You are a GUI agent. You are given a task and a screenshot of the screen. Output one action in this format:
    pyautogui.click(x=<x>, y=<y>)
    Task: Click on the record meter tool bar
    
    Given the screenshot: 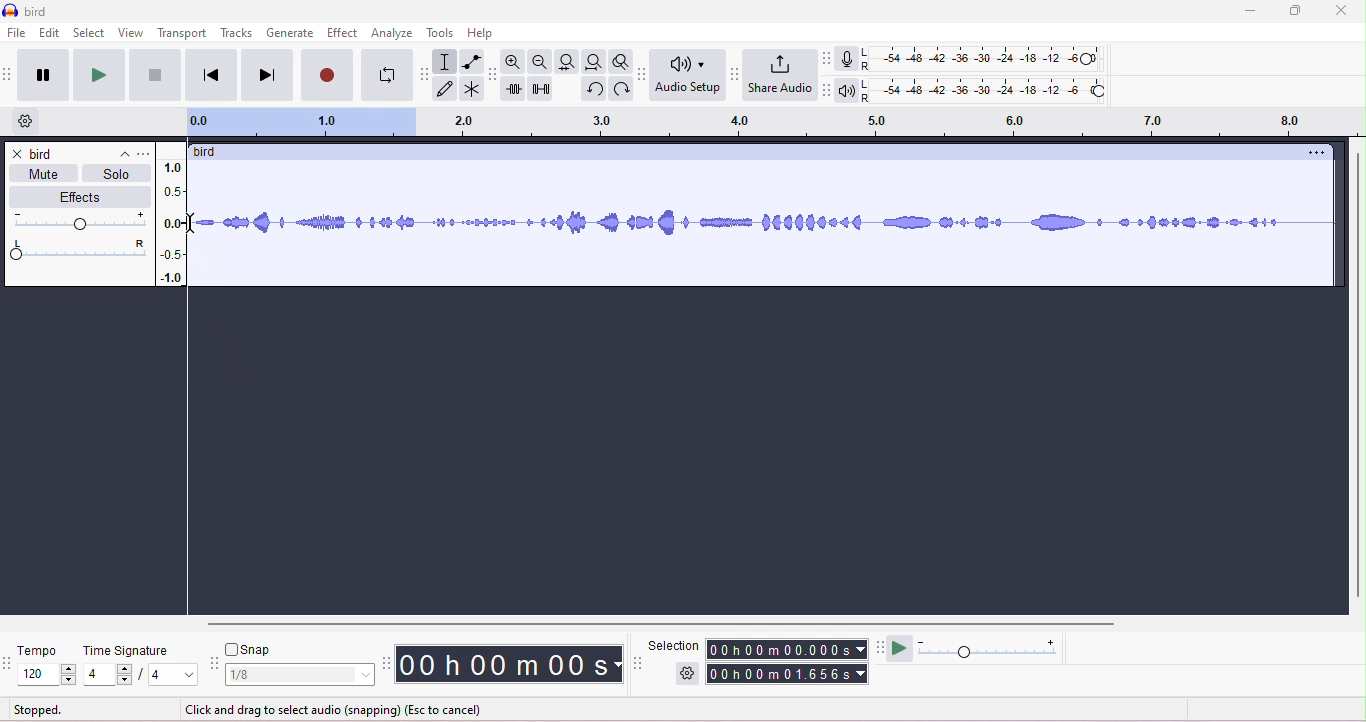 What is the action you would take?
    pyautogui.click(x=830, y=59)
    